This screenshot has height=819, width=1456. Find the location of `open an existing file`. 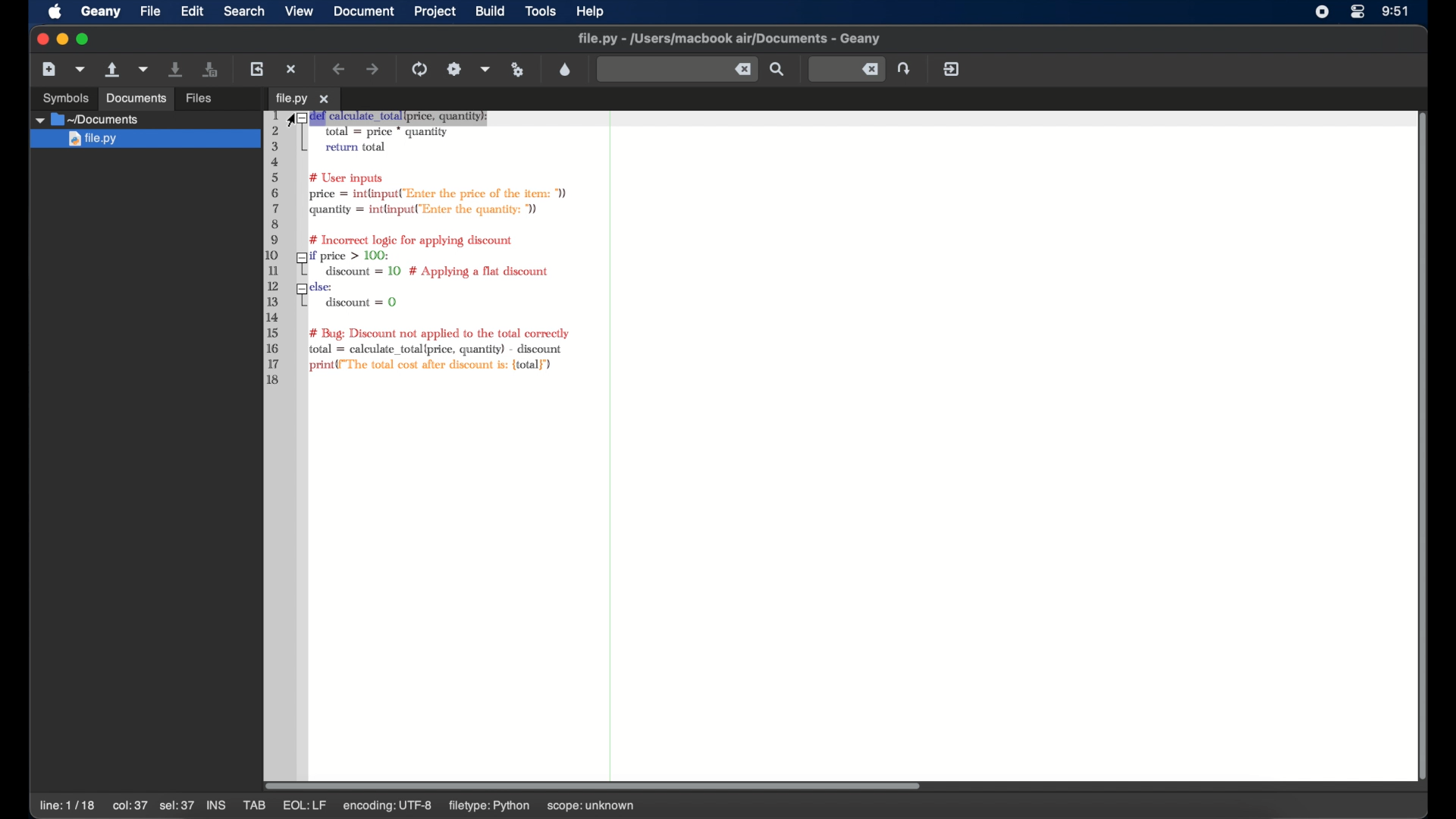

open an existing file is located at coordinates (113, 70).